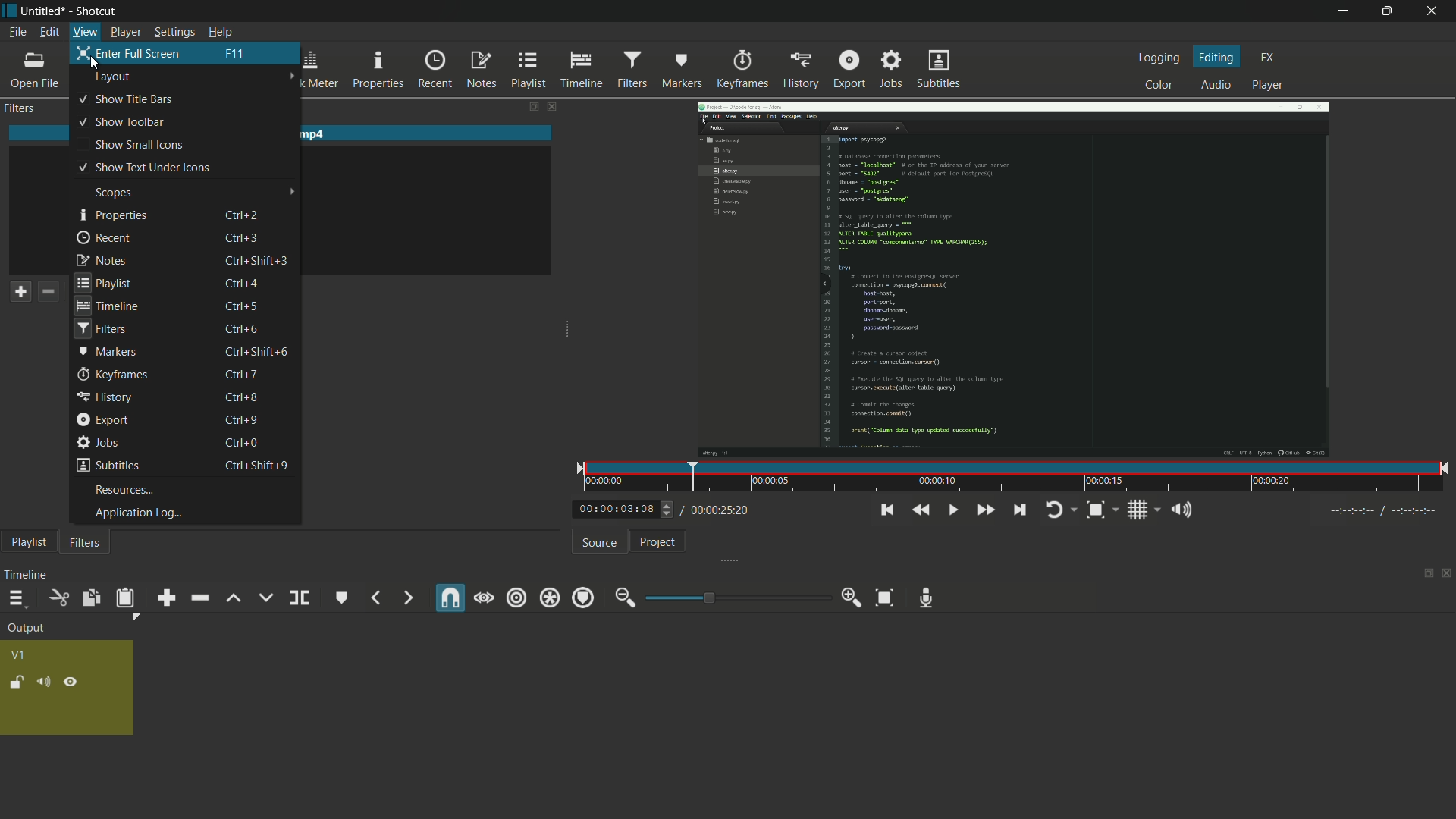 The width and height of the screenshot is (1456, 819). What do you see at coordinates (239, 282) in the screenshot?
I see `Ctrl+4` at bounding box center [239, 282].